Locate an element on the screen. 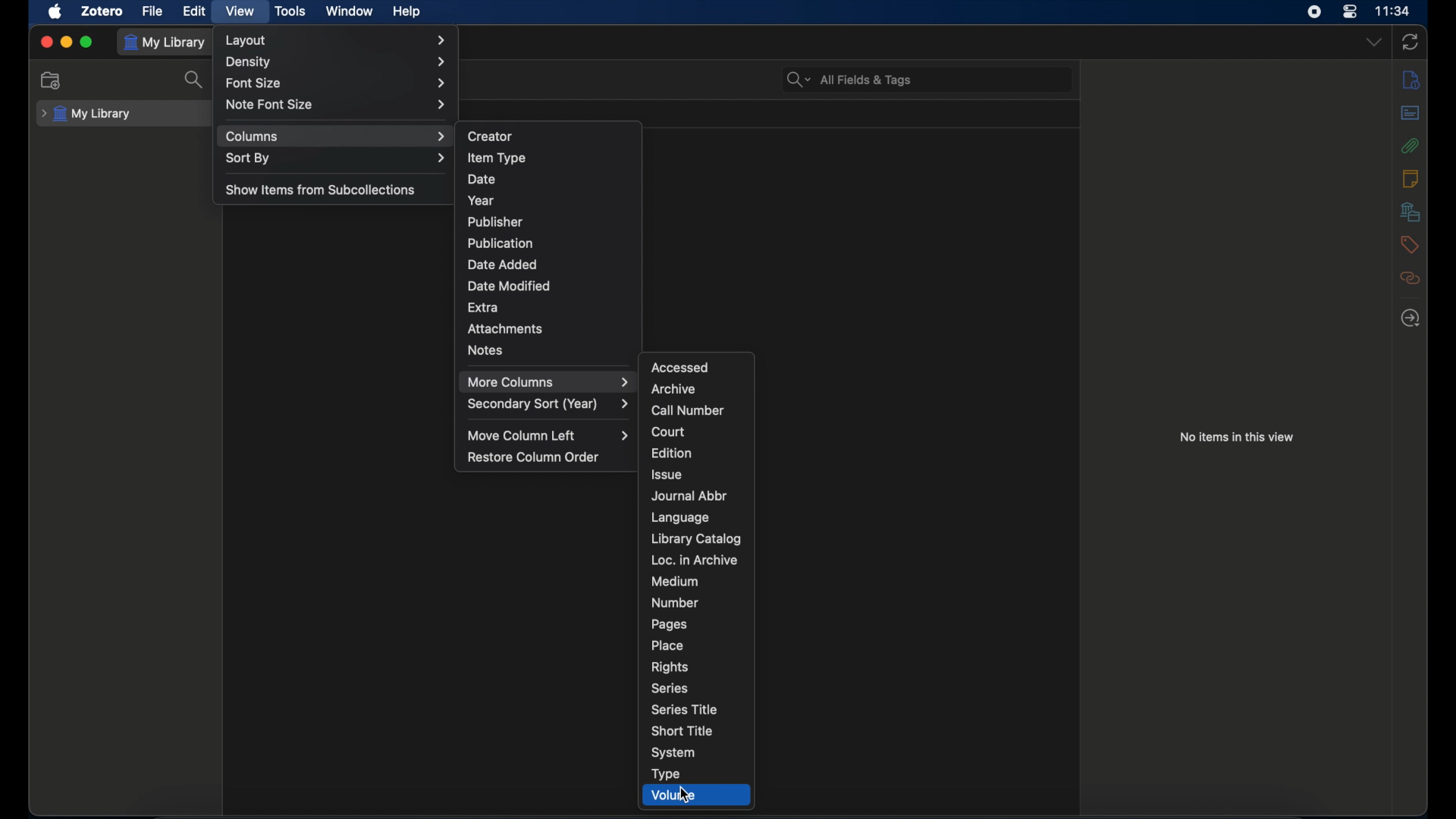 Image resolution: width=1456 pixels, height=819 pixels. column is located at coordinates (336, 136).